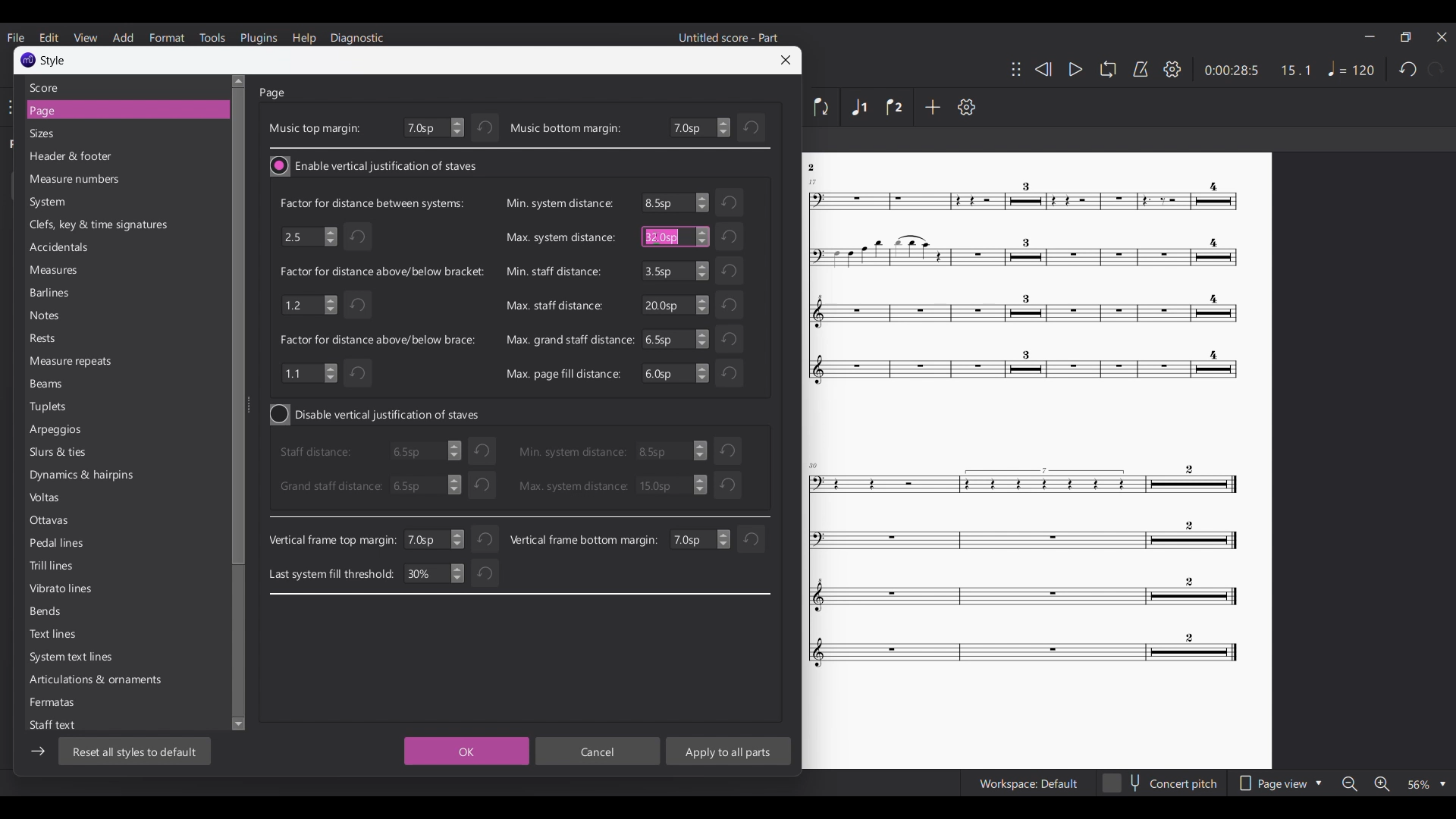  What do you see at coordinates (84, 479) in the screenshot?
I see `Dynamics & haipins` at bounding box center [84, 479].